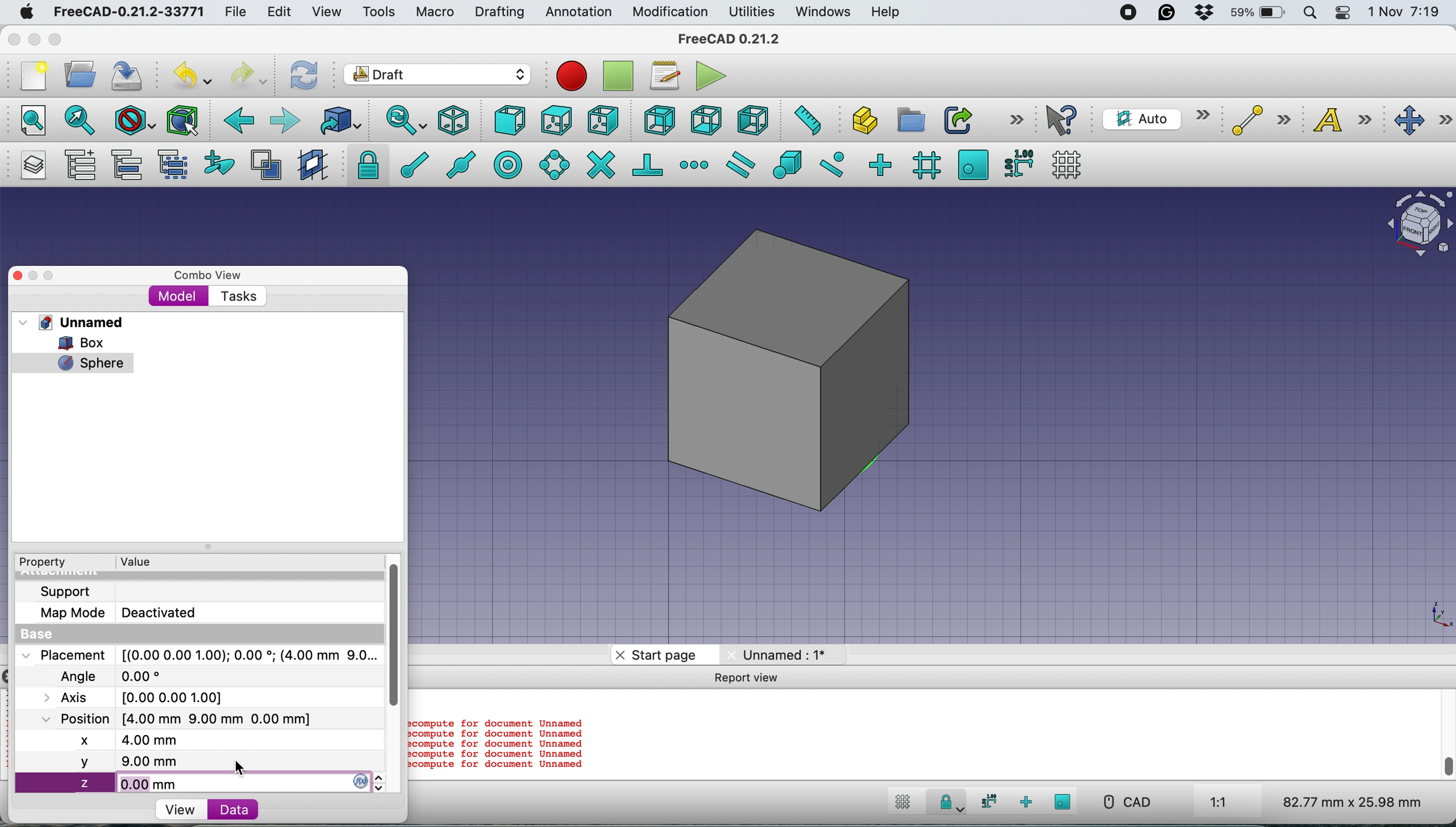  Describe the element at coordinates (369, 779) in the screenshot. I see `z axis changer` at that location.